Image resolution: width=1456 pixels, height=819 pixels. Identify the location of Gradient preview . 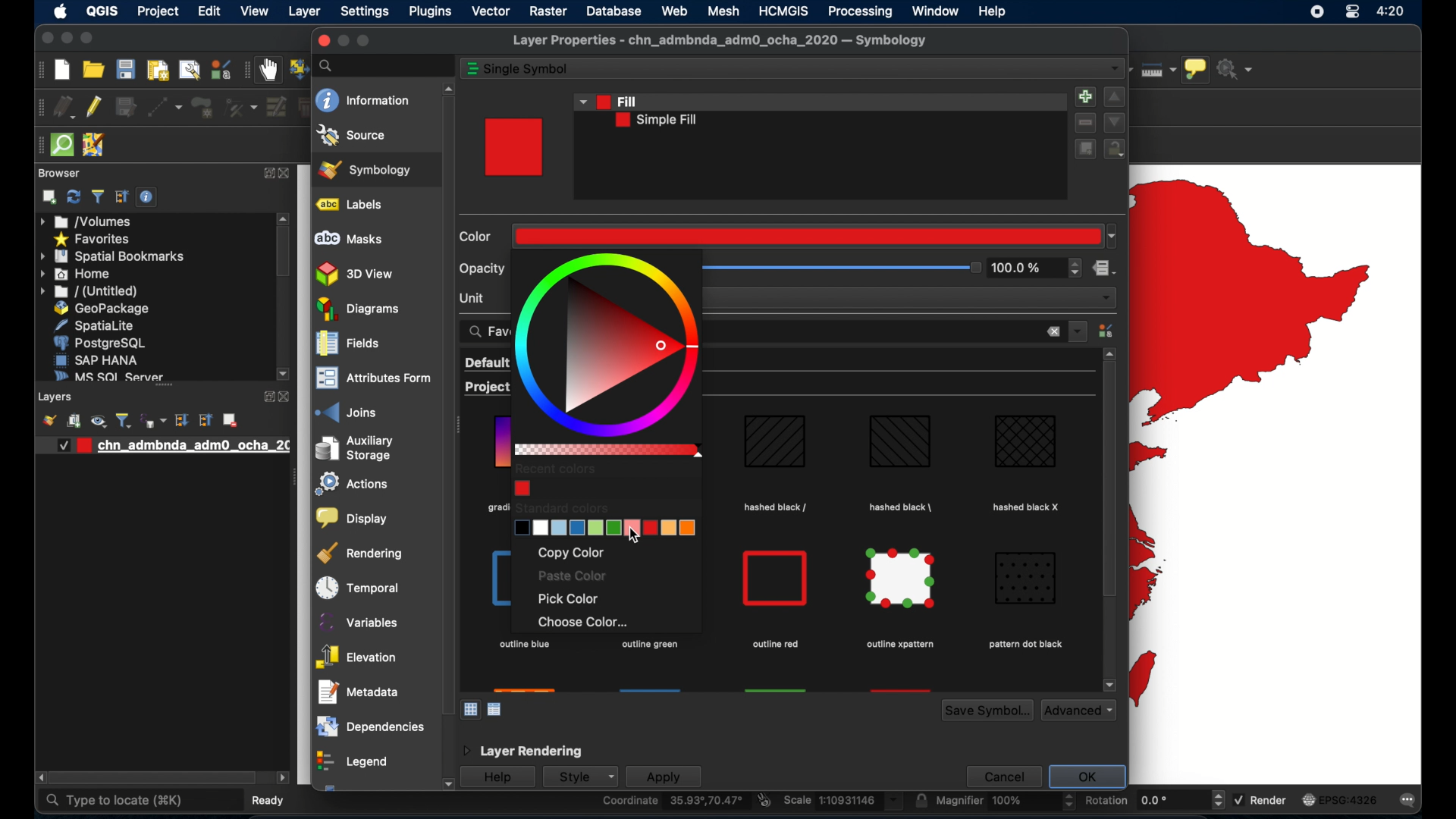
(902, 579).